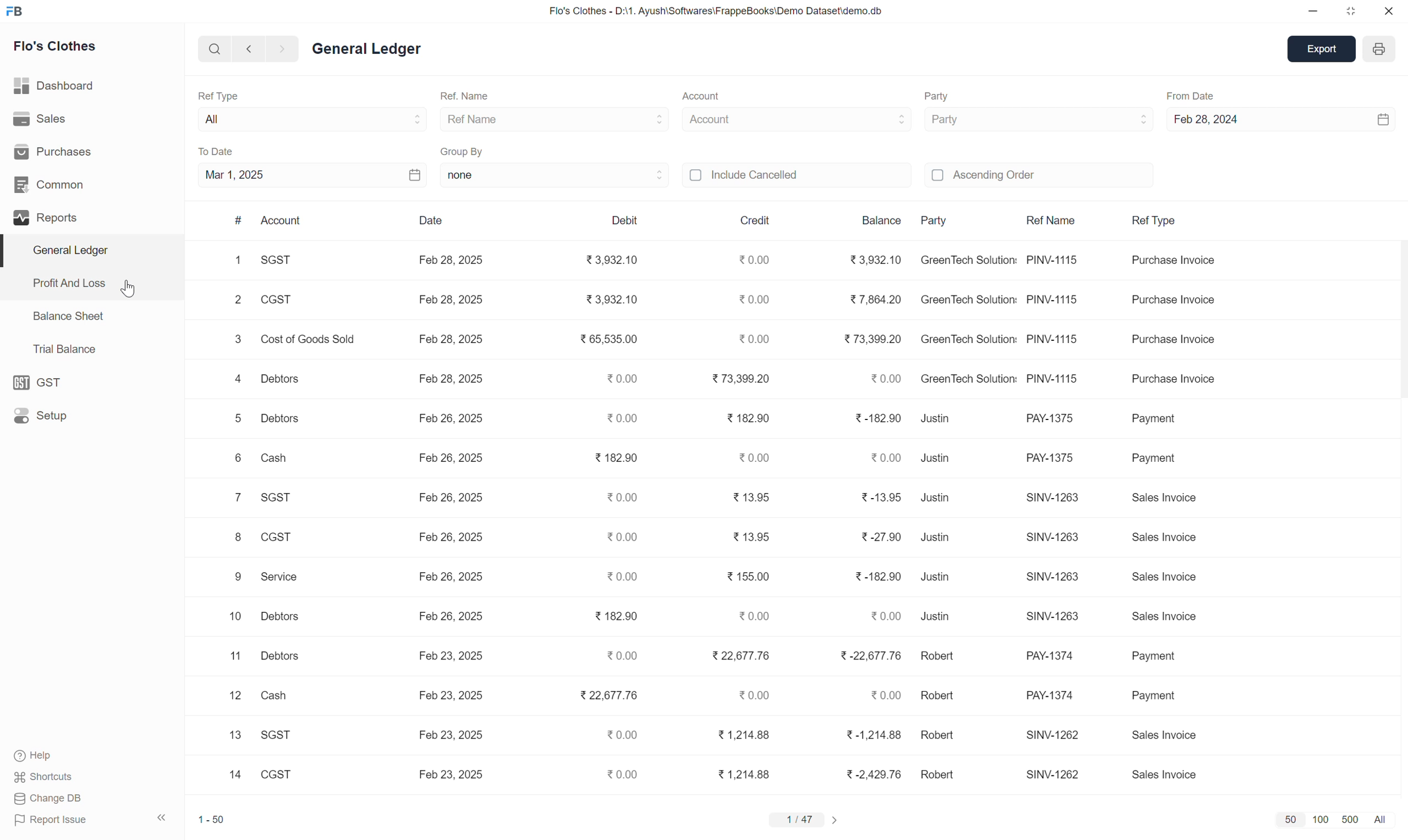  Describe the element at coordinates (1167, 496) in the screenshot. I see `Sales Invoice` at that location.